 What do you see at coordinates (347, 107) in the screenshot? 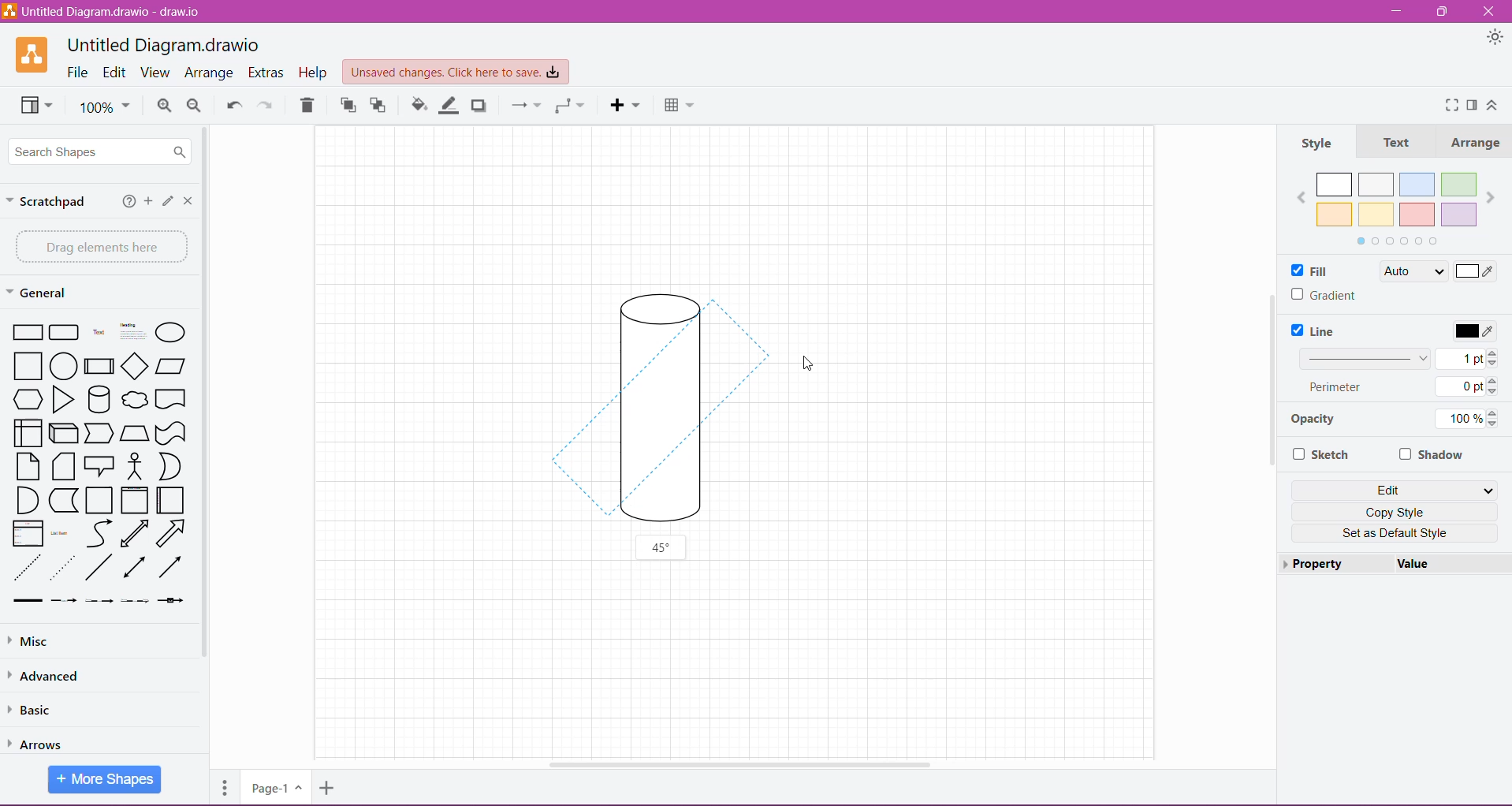
I see `To front` at bounding box center [347, 107].